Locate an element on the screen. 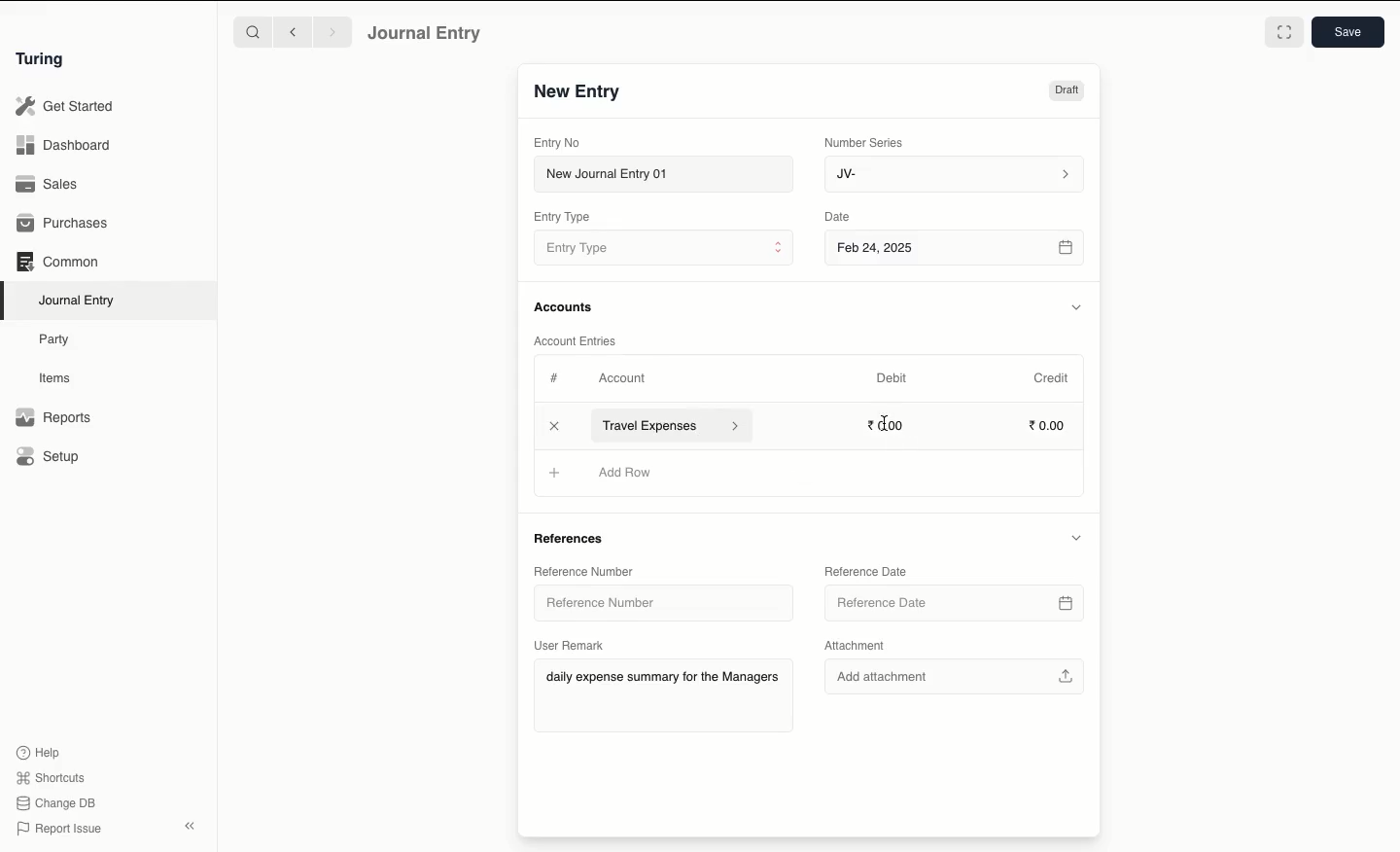 The image size is (1400, 852). Purchases is located at coordinates (63, 225).